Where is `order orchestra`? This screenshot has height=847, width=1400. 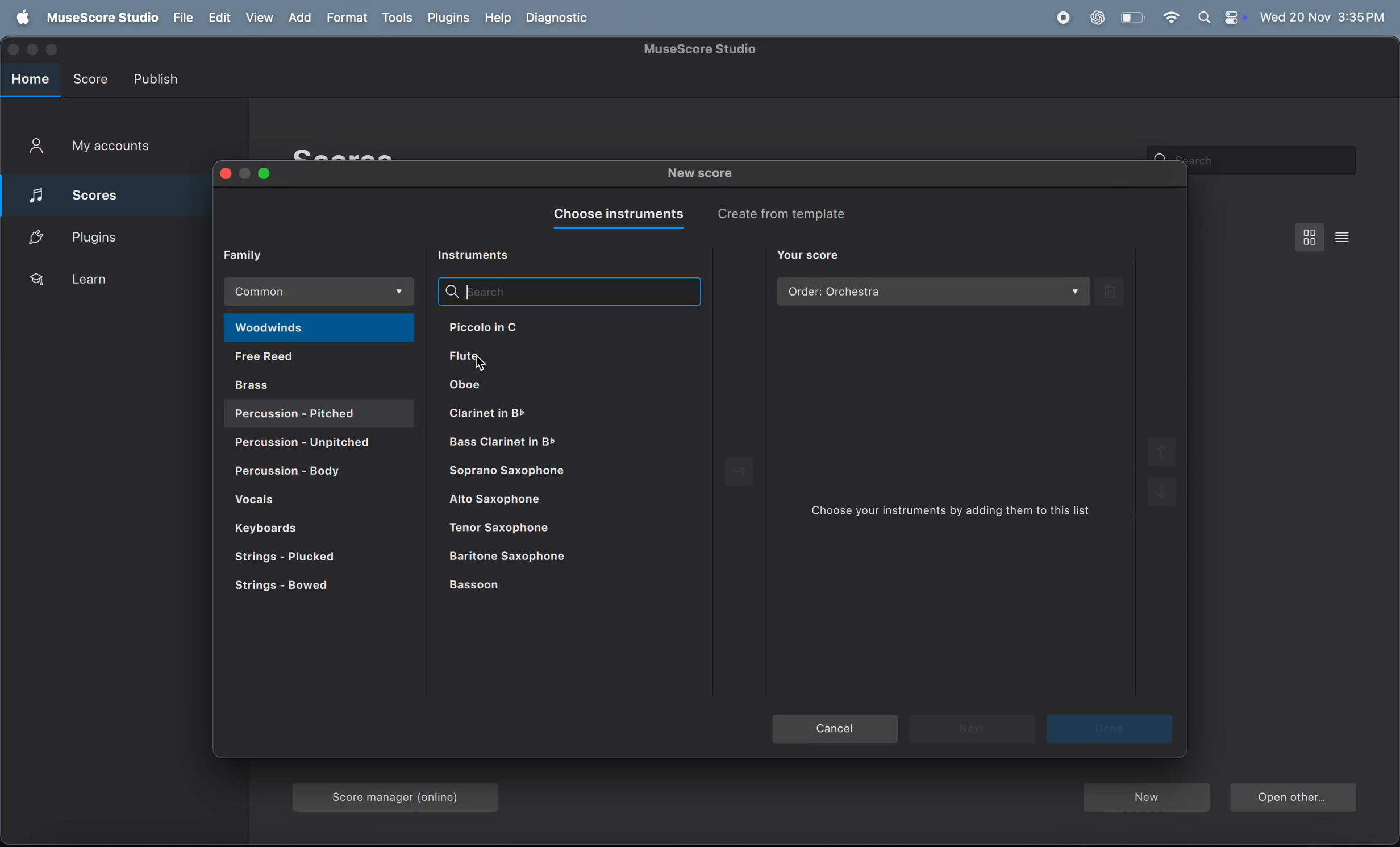 order orchestra is located at coordinates (934, 292).